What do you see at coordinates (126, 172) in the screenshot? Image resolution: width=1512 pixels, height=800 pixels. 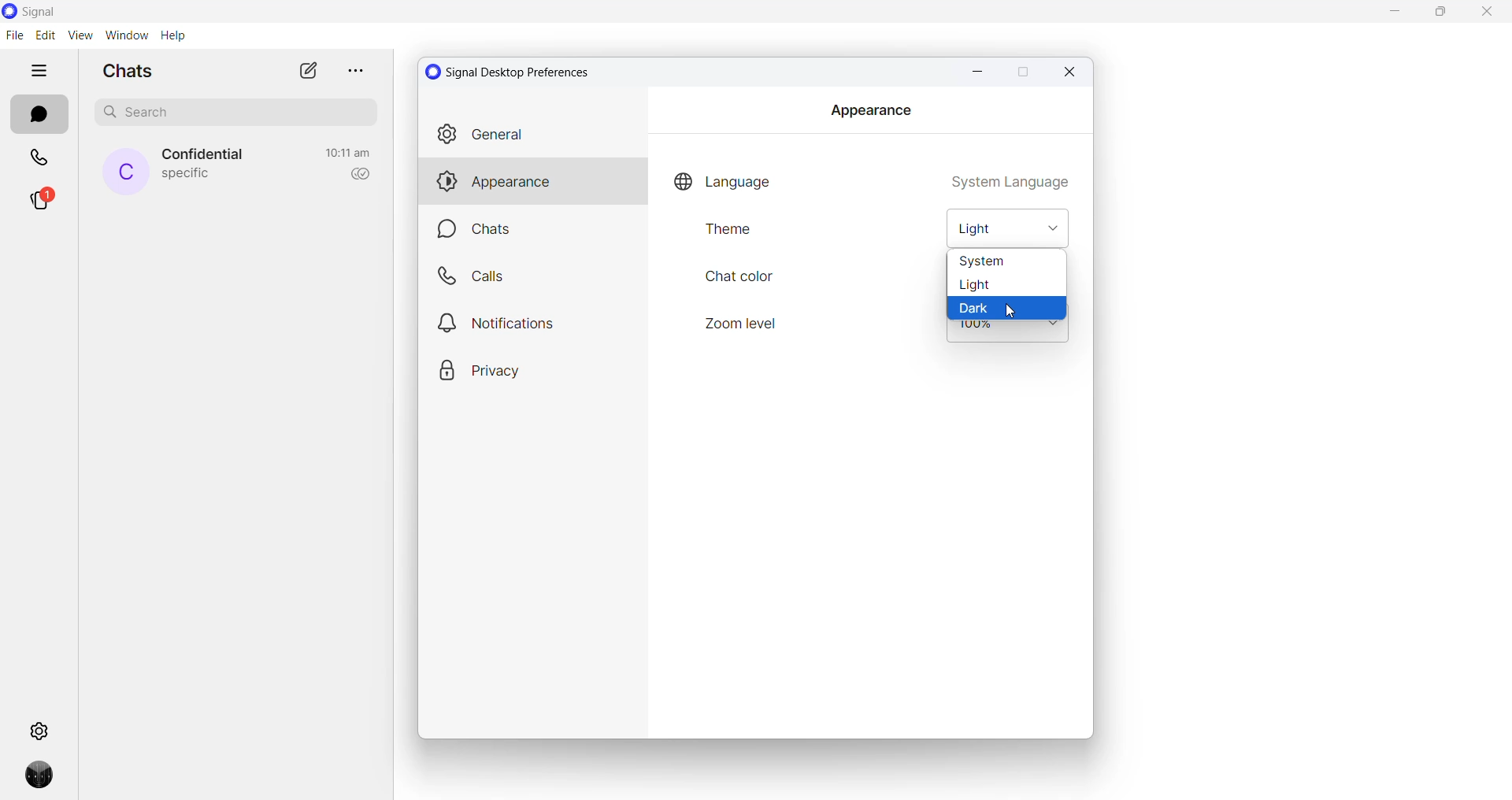 I see `profile picture` at bounding box center [126, 172].